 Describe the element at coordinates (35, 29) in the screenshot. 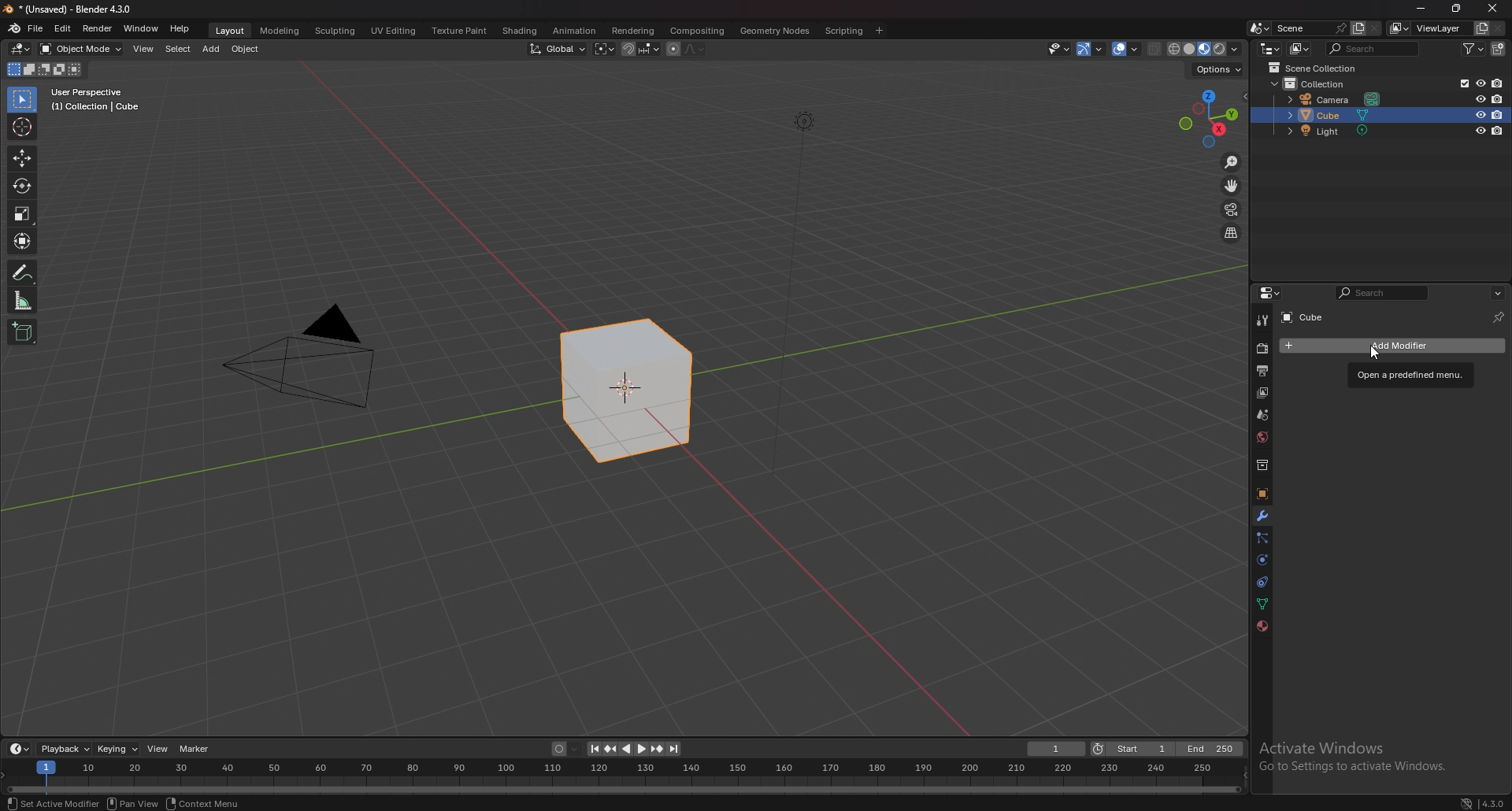

I see `file` at that location.